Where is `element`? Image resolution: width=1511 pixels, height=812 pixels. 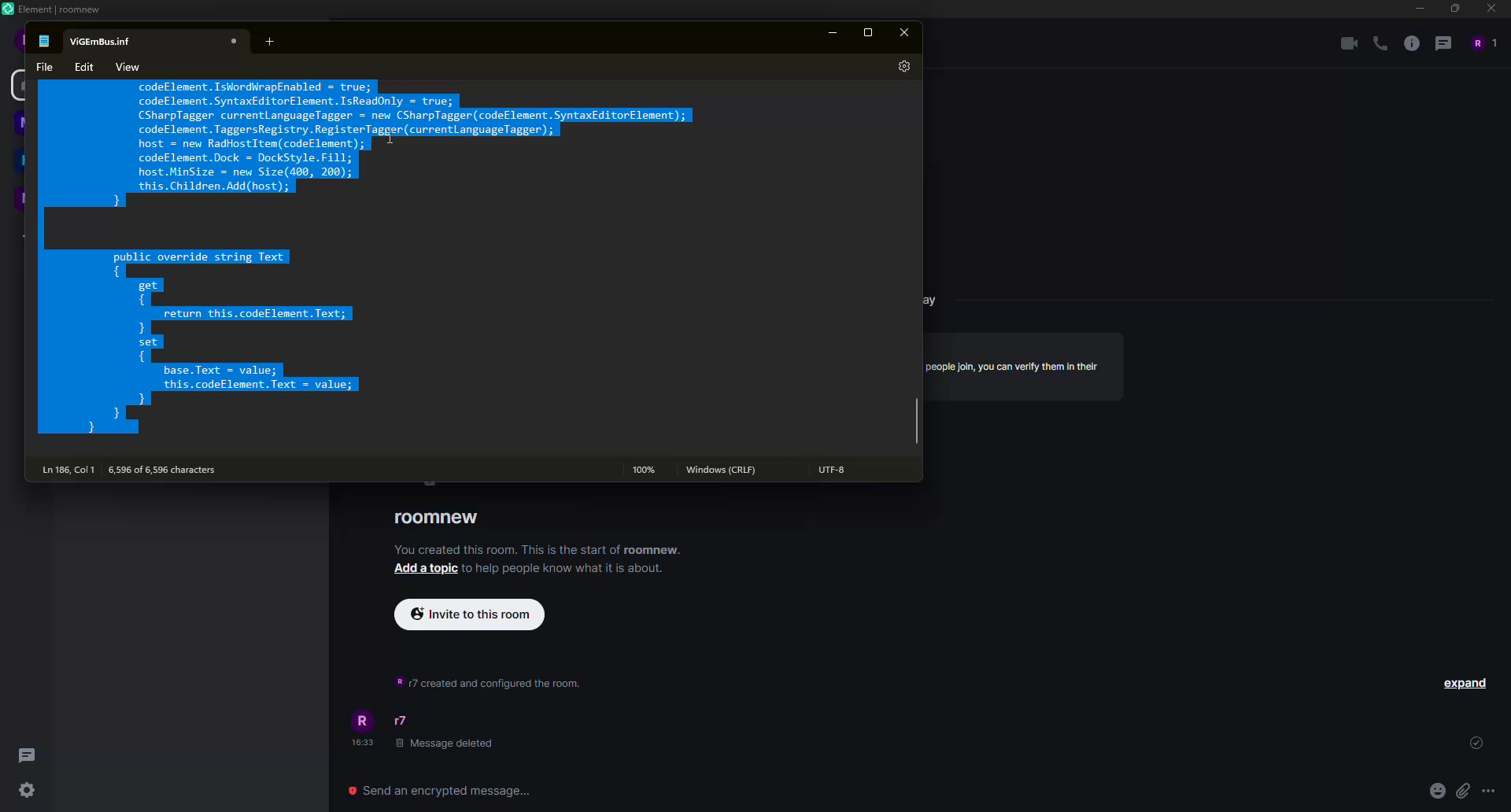
element is located at coordinates (55, 9).